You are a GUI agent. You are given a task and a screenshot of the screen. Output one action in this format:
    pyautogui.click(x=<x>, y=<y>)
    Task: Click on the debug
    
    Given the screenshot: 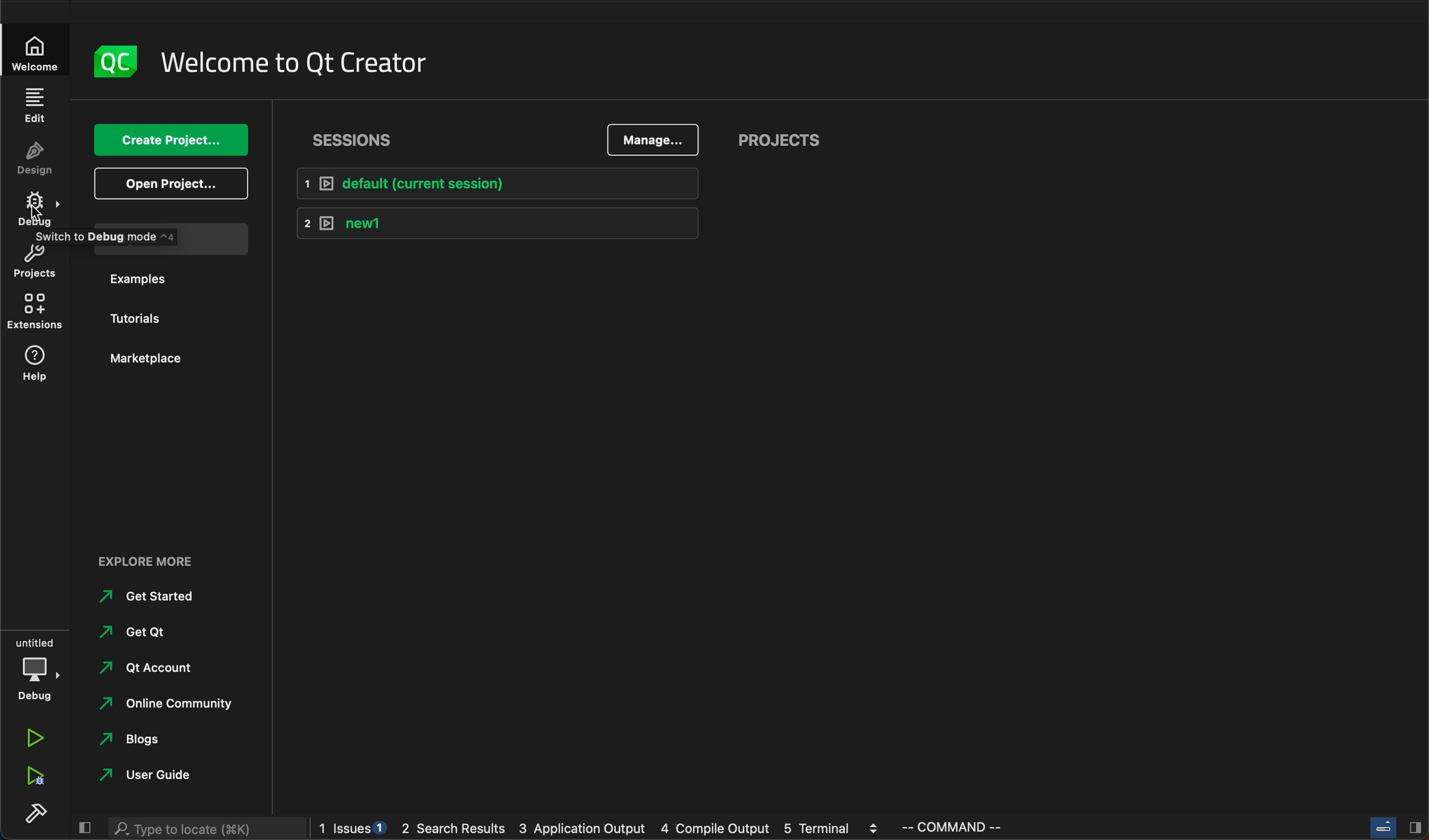 What is the action you would take?
    pyautogui.click(x=36, y=672)
    